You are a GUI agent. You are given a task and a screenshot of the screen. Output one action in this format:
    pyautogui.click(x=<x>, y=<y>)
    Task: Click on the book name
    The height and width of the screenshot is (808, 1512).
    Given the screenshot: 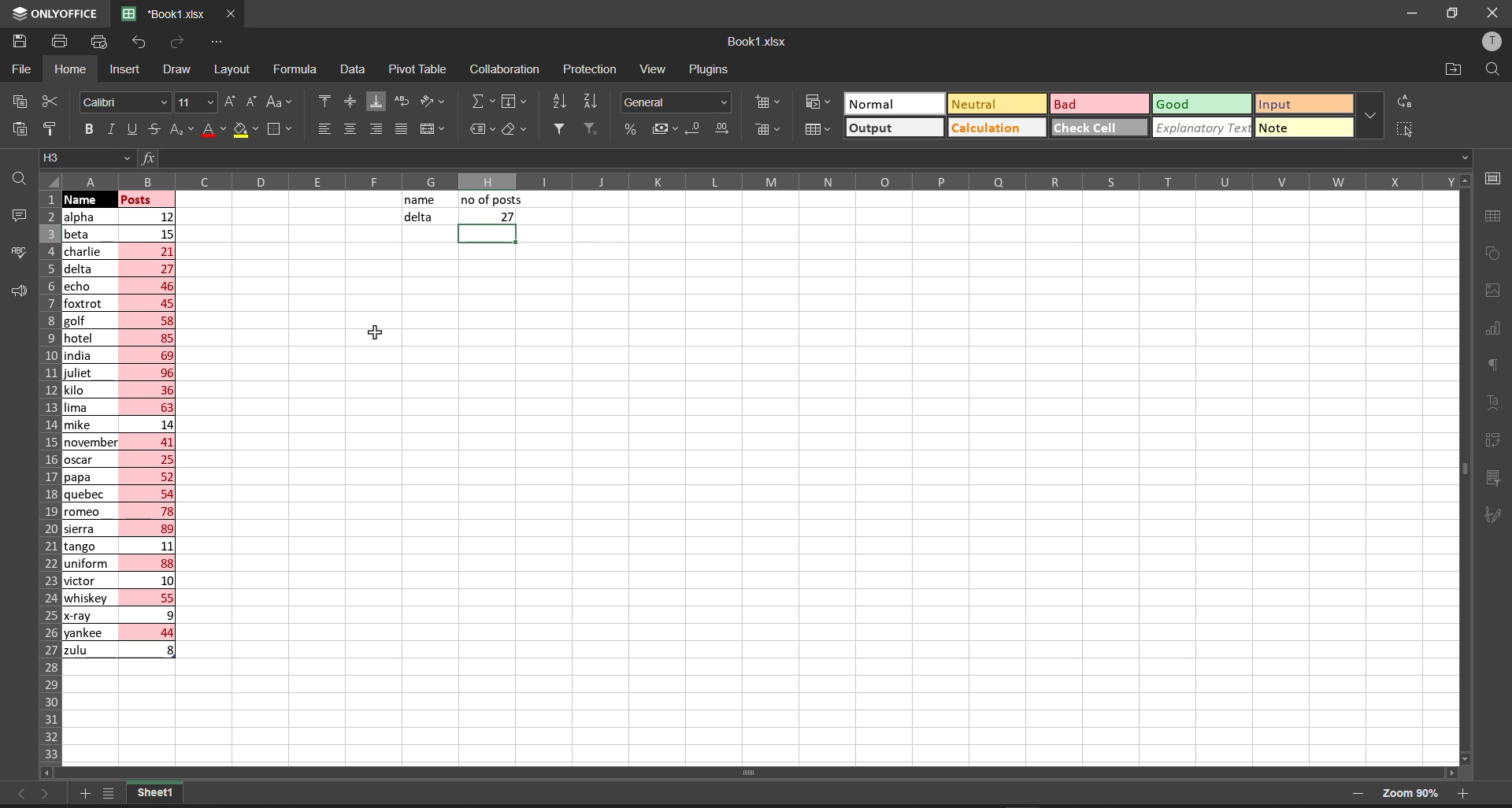 What is the action you would take?
    pyautogui.click(x=755, y=42)
    